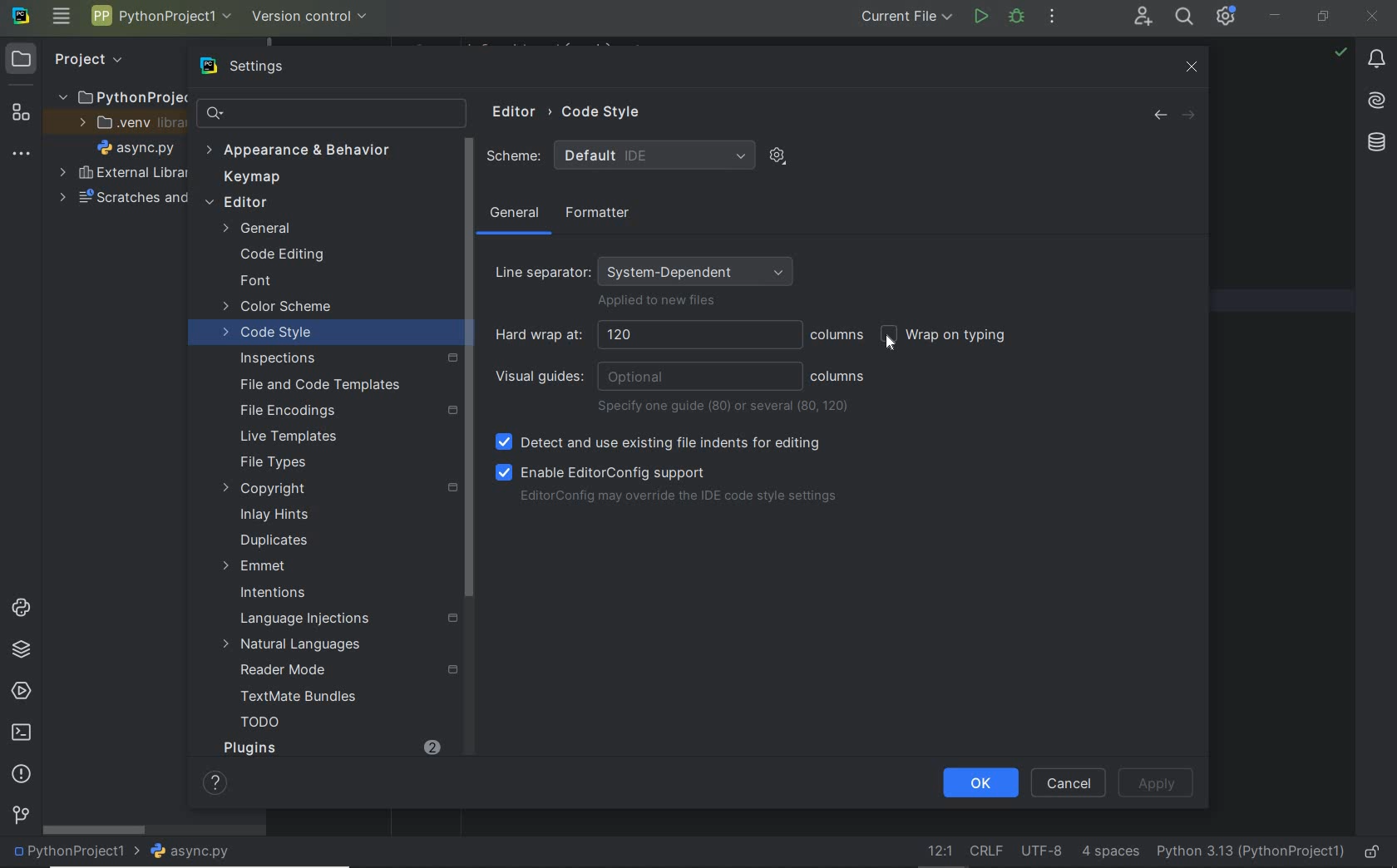 The image size is (1397, 868). I want to click on version control, so click(20, 816).